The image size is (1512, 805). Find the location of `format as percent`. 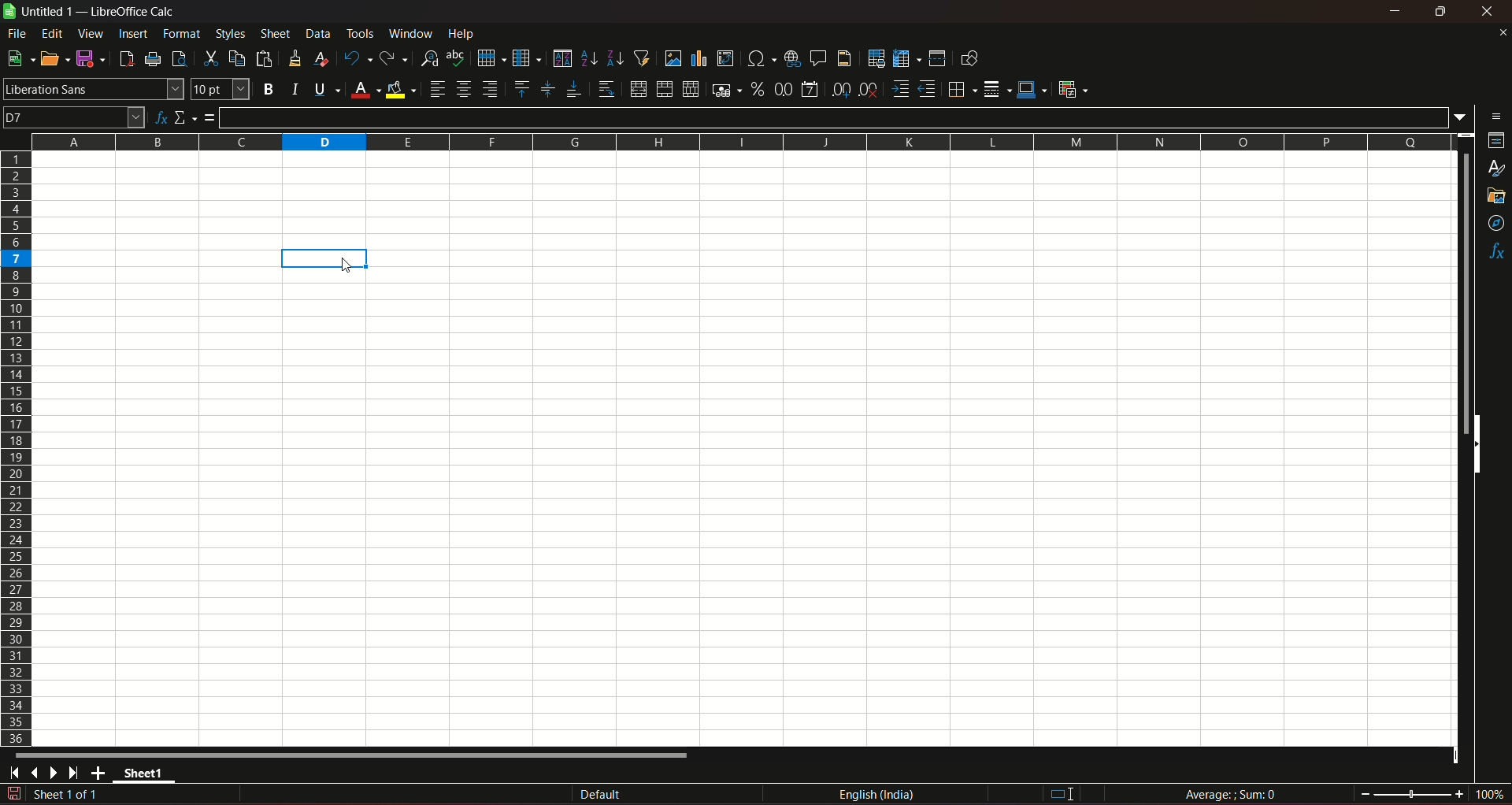

format as percent is located at coordinates (757, 88).